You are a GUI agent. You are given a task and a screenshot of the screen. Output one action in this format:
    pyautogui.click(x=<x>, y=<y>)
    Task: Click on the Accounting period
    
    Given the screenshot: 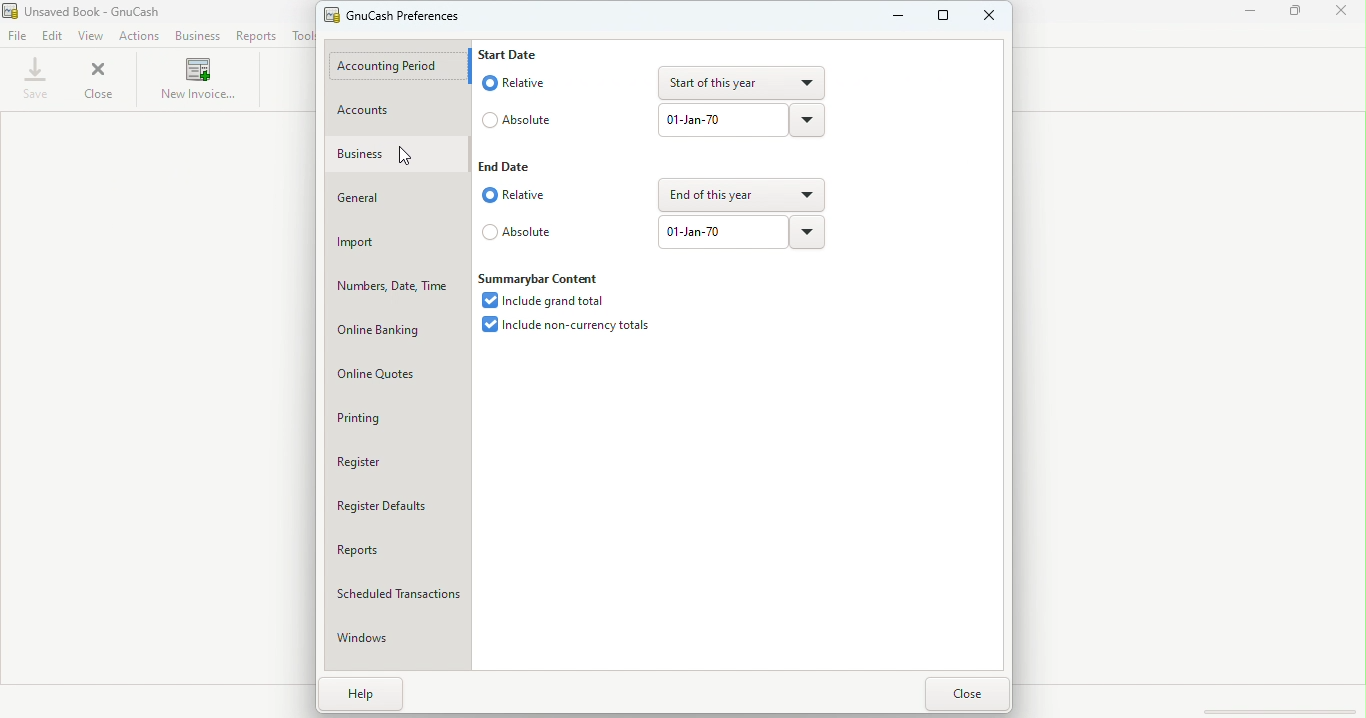 What is the action you would take?
    pyautogui.click(x=399, y=63)
    